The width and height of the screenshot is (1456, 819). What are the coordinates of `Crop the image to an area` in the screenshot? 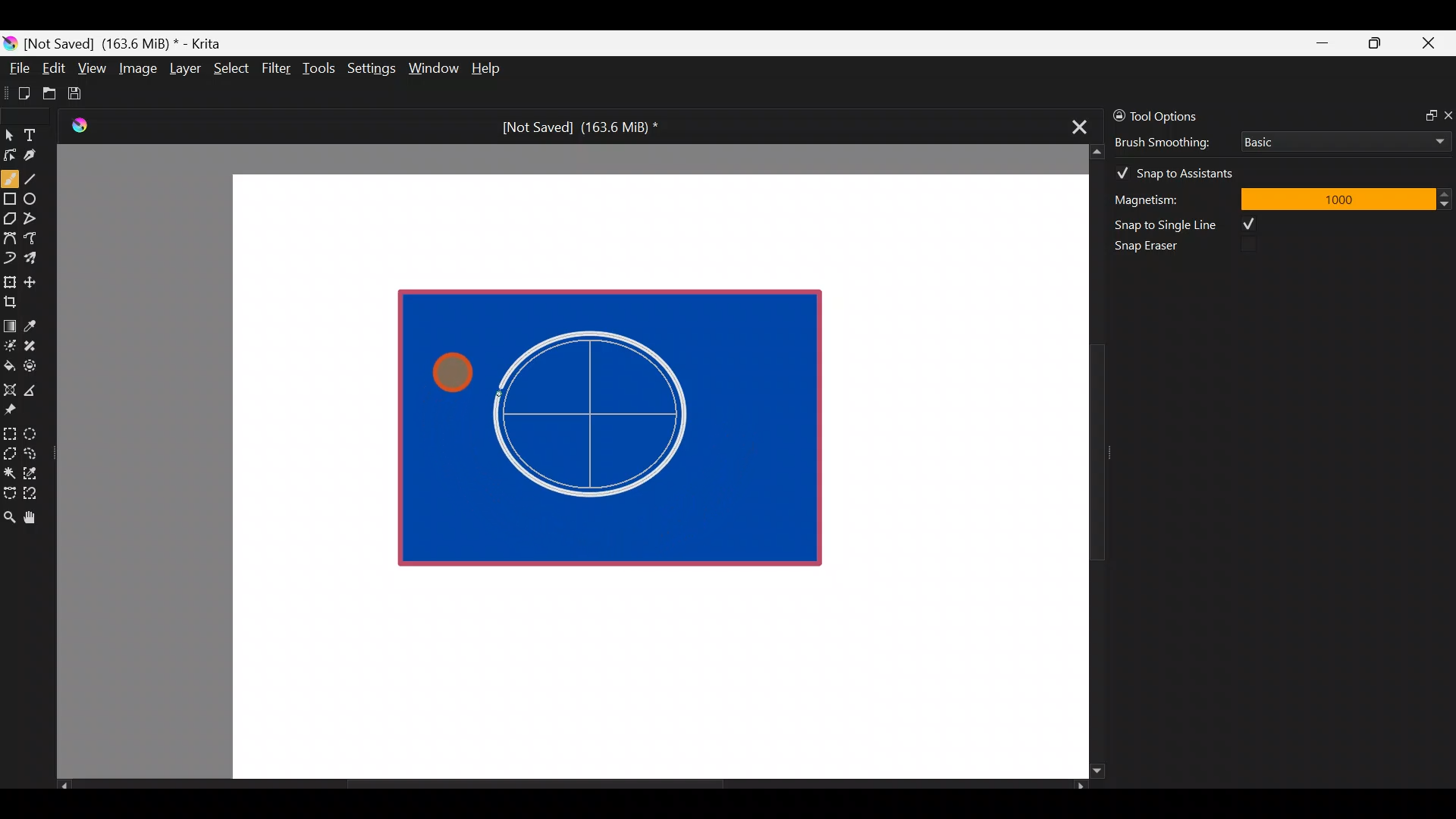 It's located at (15, 301).